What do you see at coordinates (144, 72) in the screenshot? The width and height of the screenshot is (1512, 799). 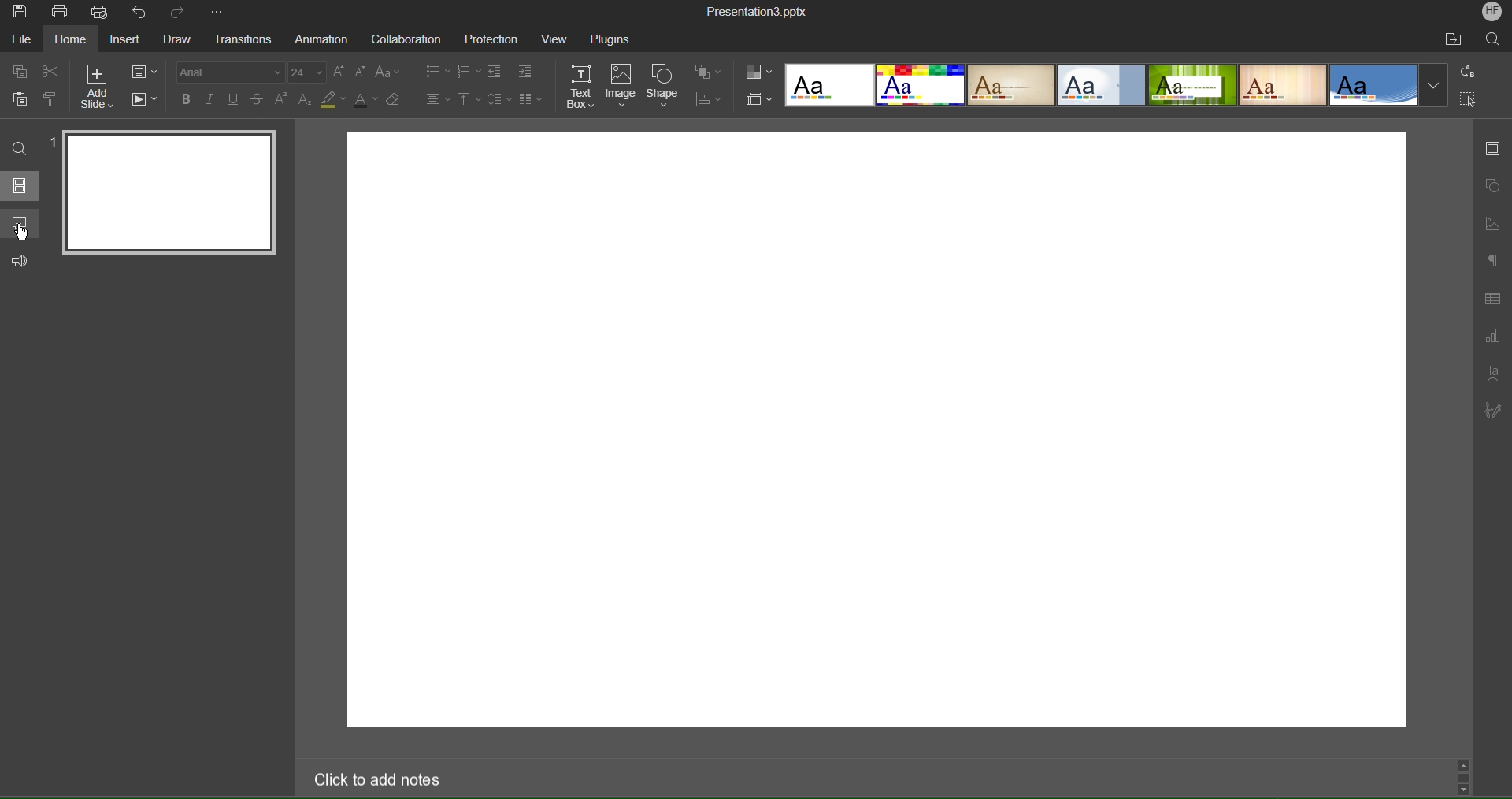 I see `Slide Settings` at bounding box center [144, 72].